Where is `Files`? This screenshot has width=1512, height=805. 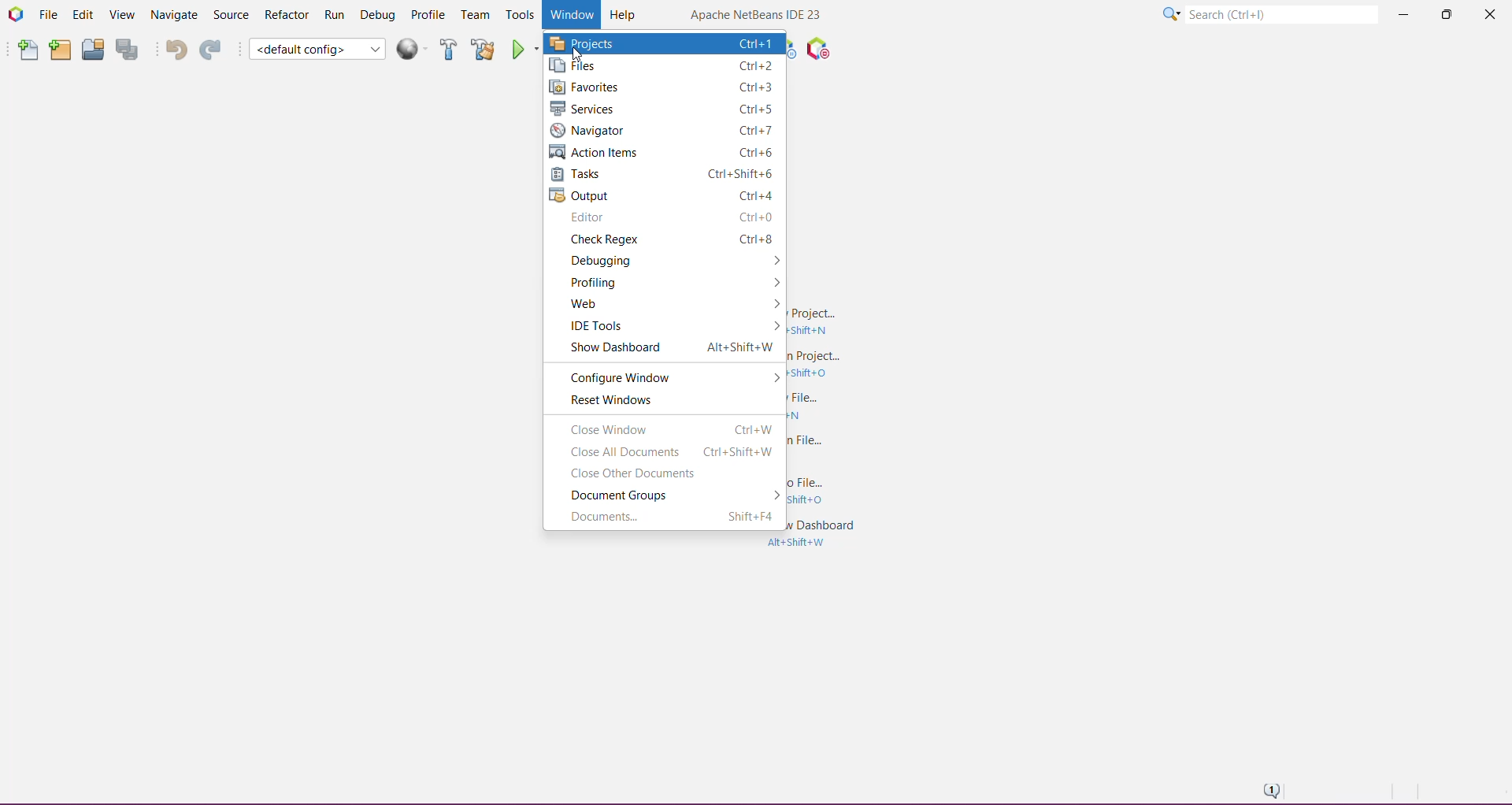
Files is located at coordinates (662, 67).